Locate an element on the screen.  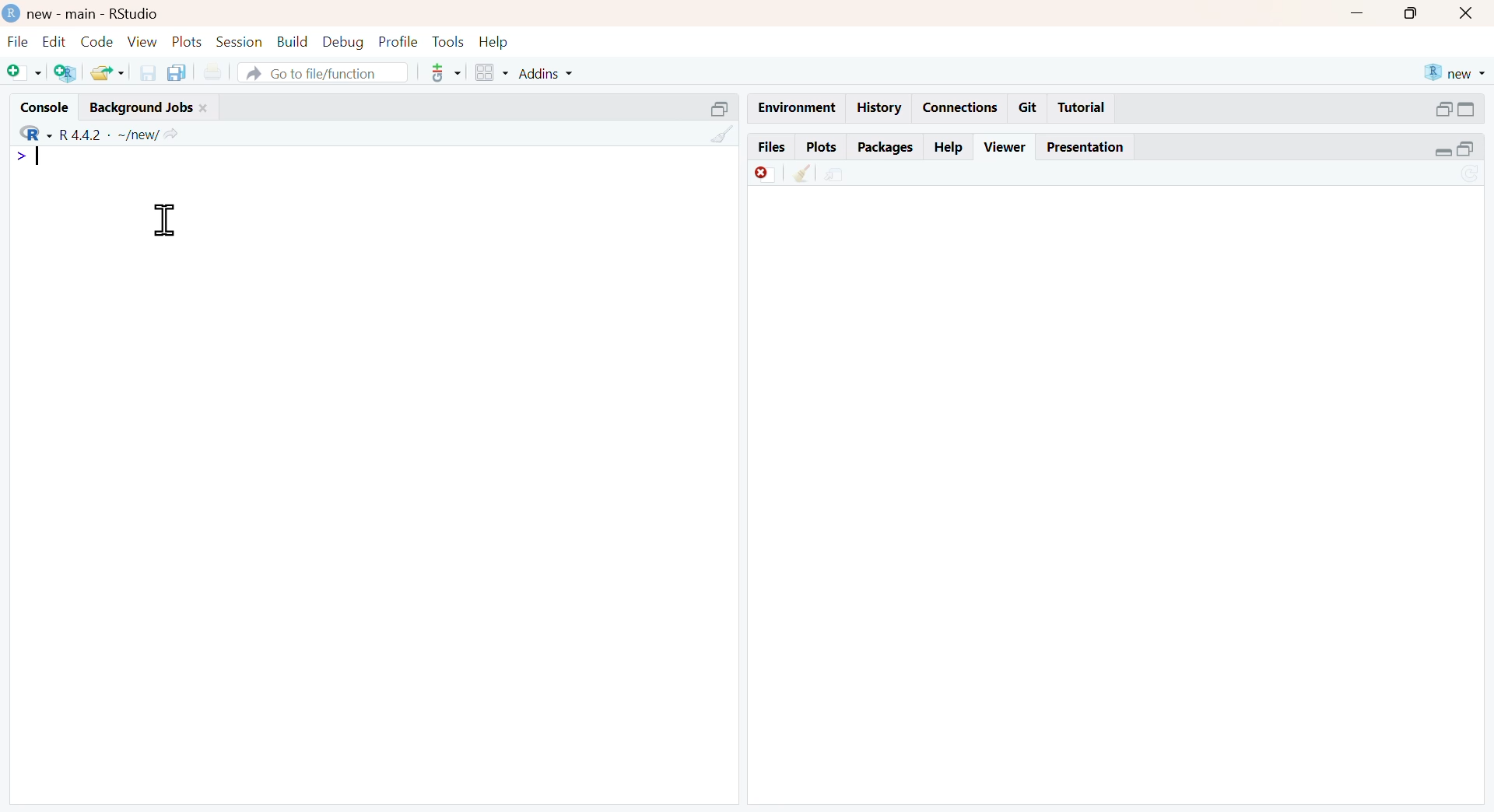
Git is located at coordinates (1029, 107).